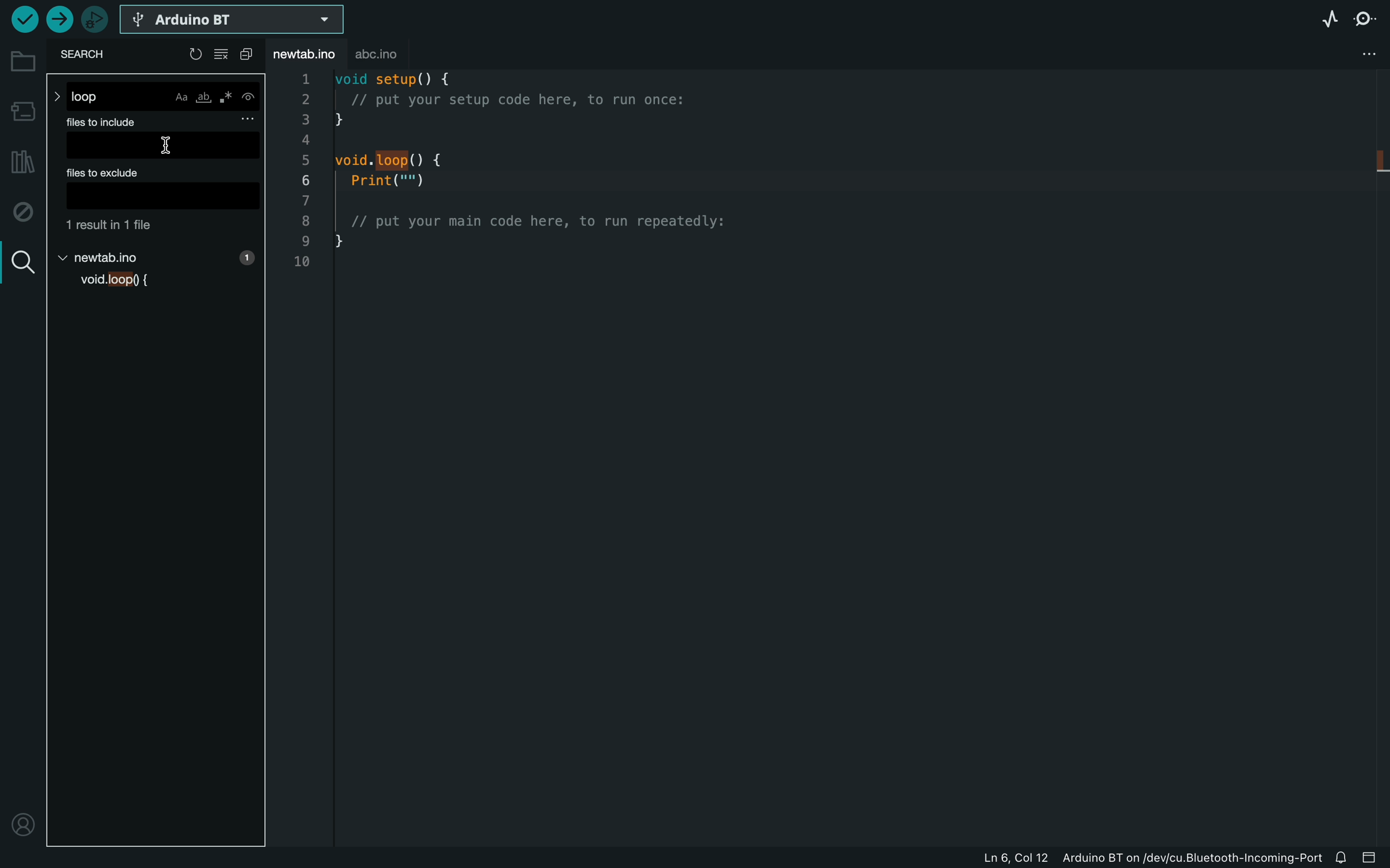 This screenshot has height=868, width=1390. I want to click on loop, so click(156, 96).